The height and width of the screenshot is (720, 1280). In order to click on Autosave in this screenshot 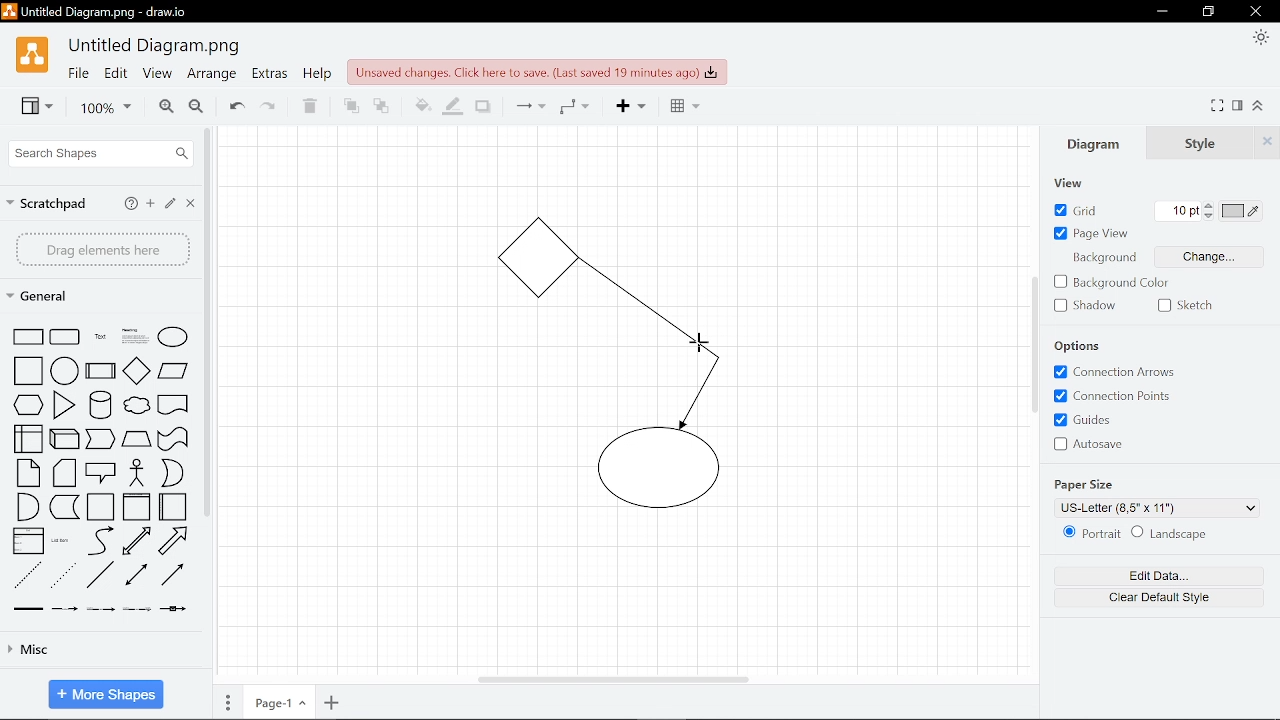, I will do `click(1099, 443)`.